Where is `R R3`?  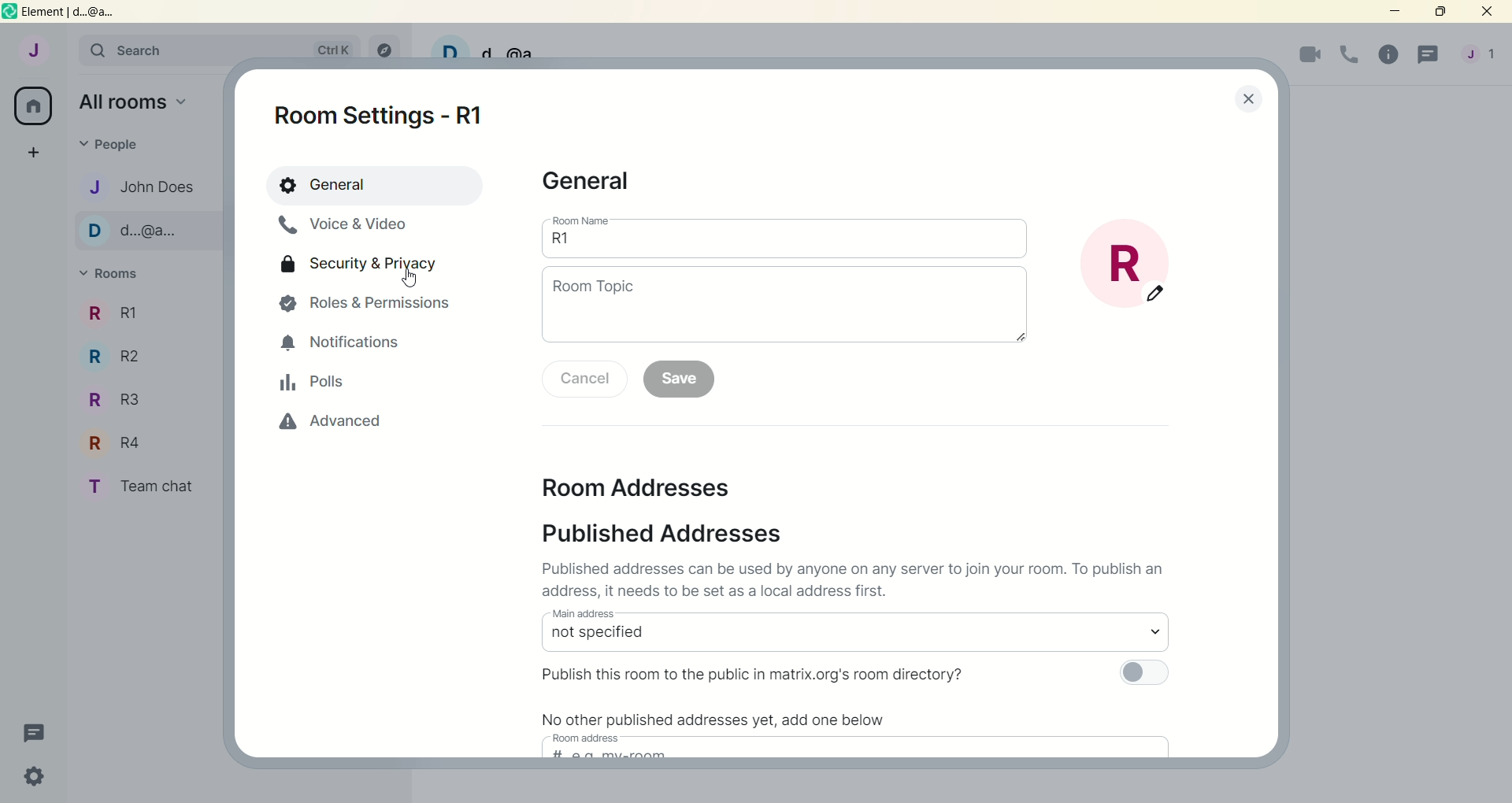 R R3 is located at coordinates (126, 404).